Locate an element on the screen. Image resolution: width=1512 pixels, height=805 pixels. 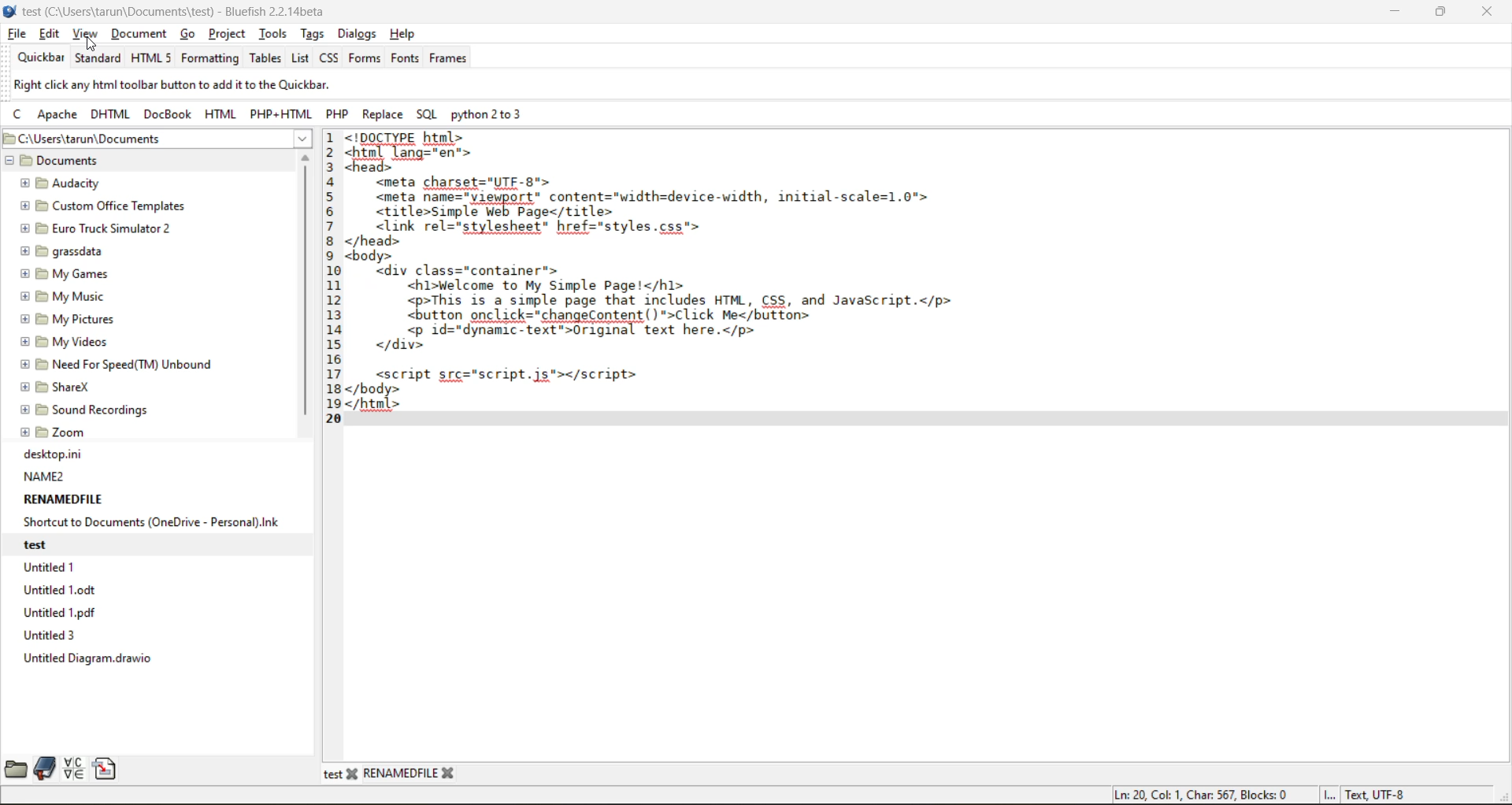
metadata is located at coordinates (189, 87).